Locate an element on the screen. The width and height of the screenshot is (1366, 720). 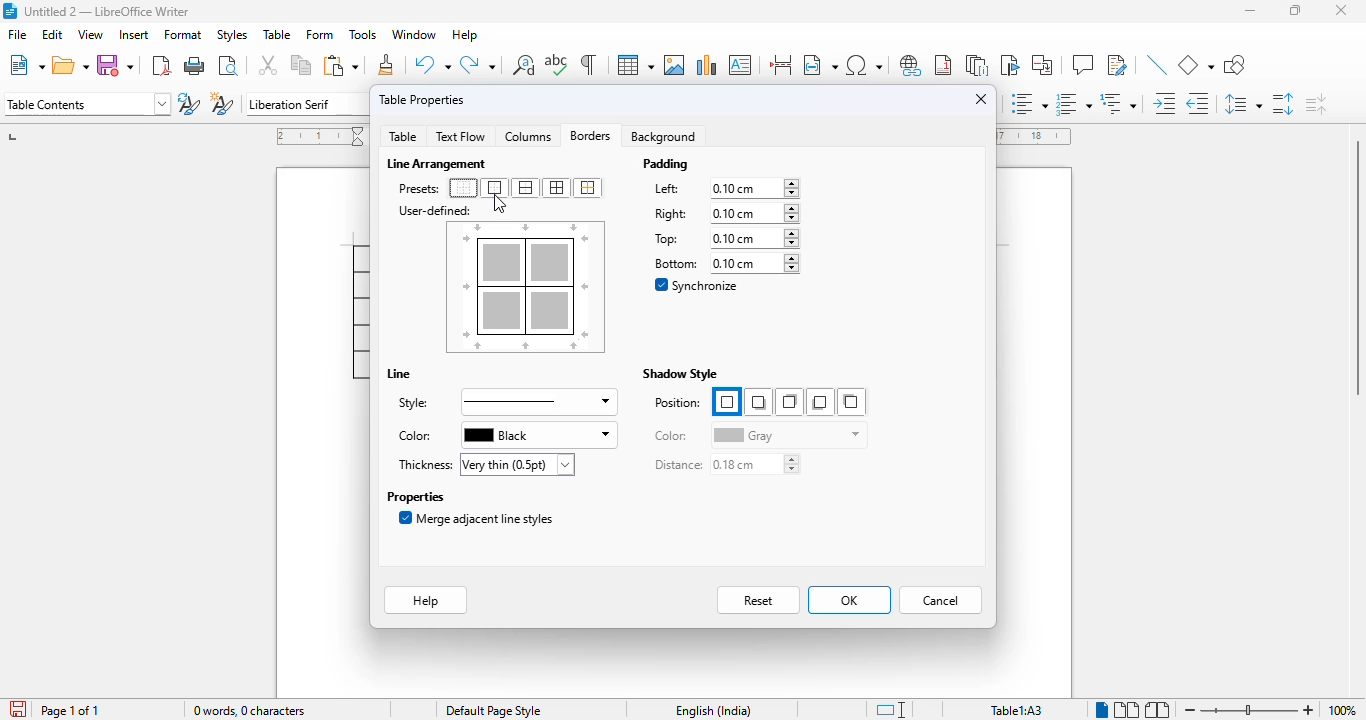
background is located at coordinates (666, 136).